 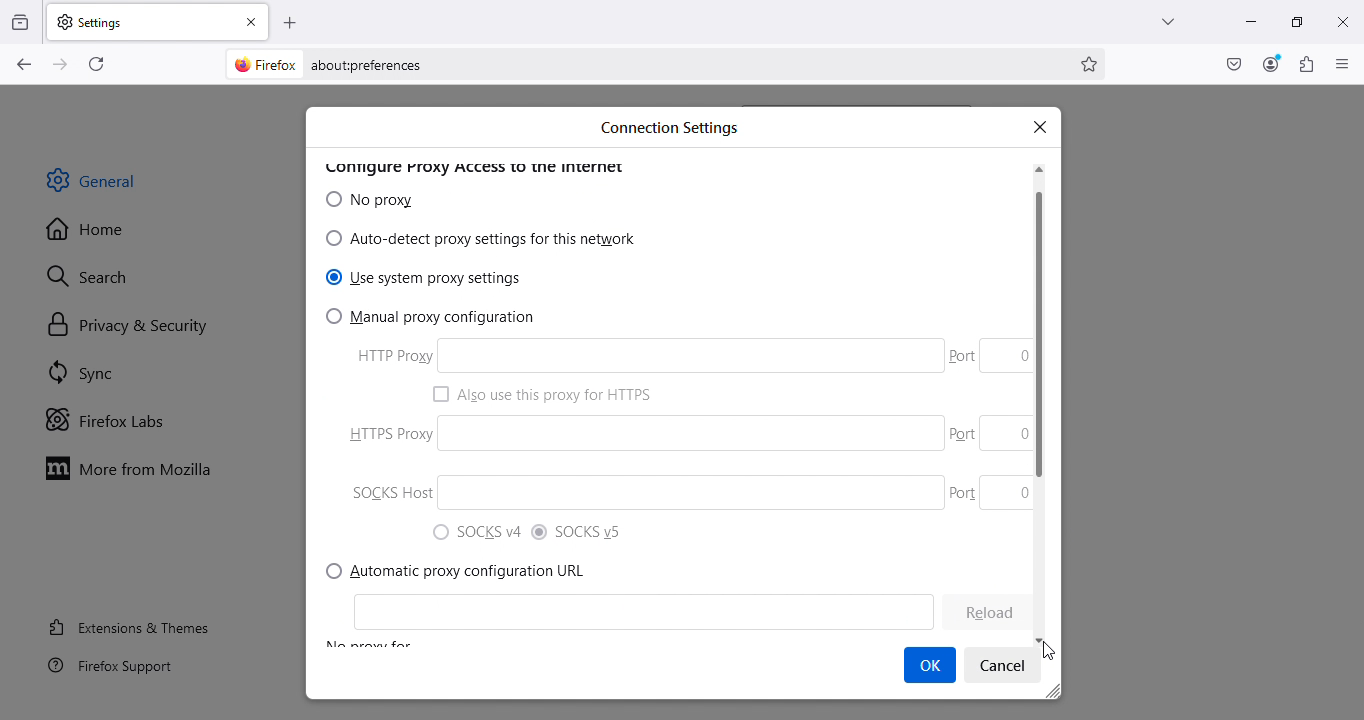 I want to click on cursor, so click(x=1047, y=649).